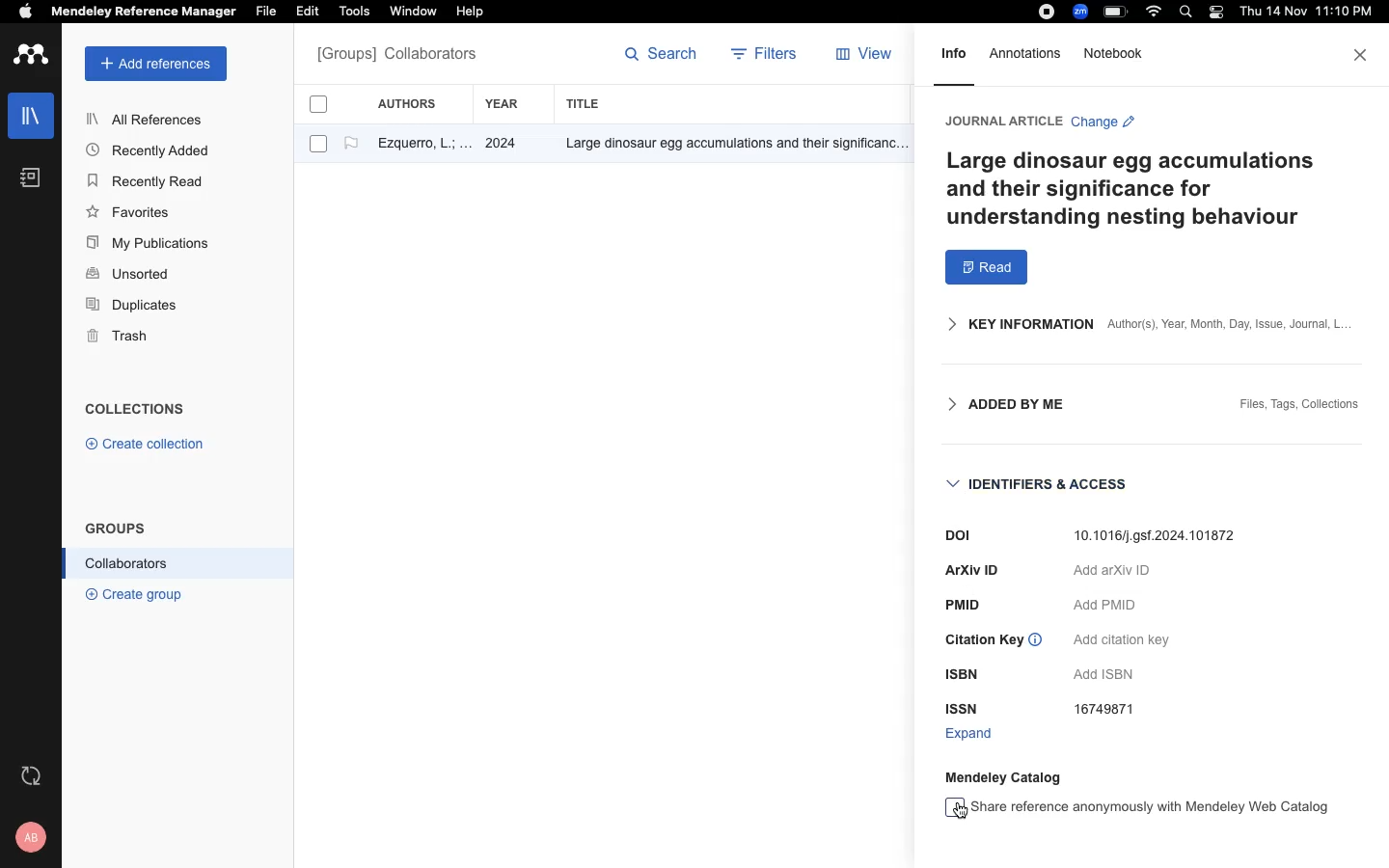 The width and height of the screenshot is (1389, 868). What do you see at coordinates (265, 10) in the screenshot?
I see `File` at bounding box center [265, 10].